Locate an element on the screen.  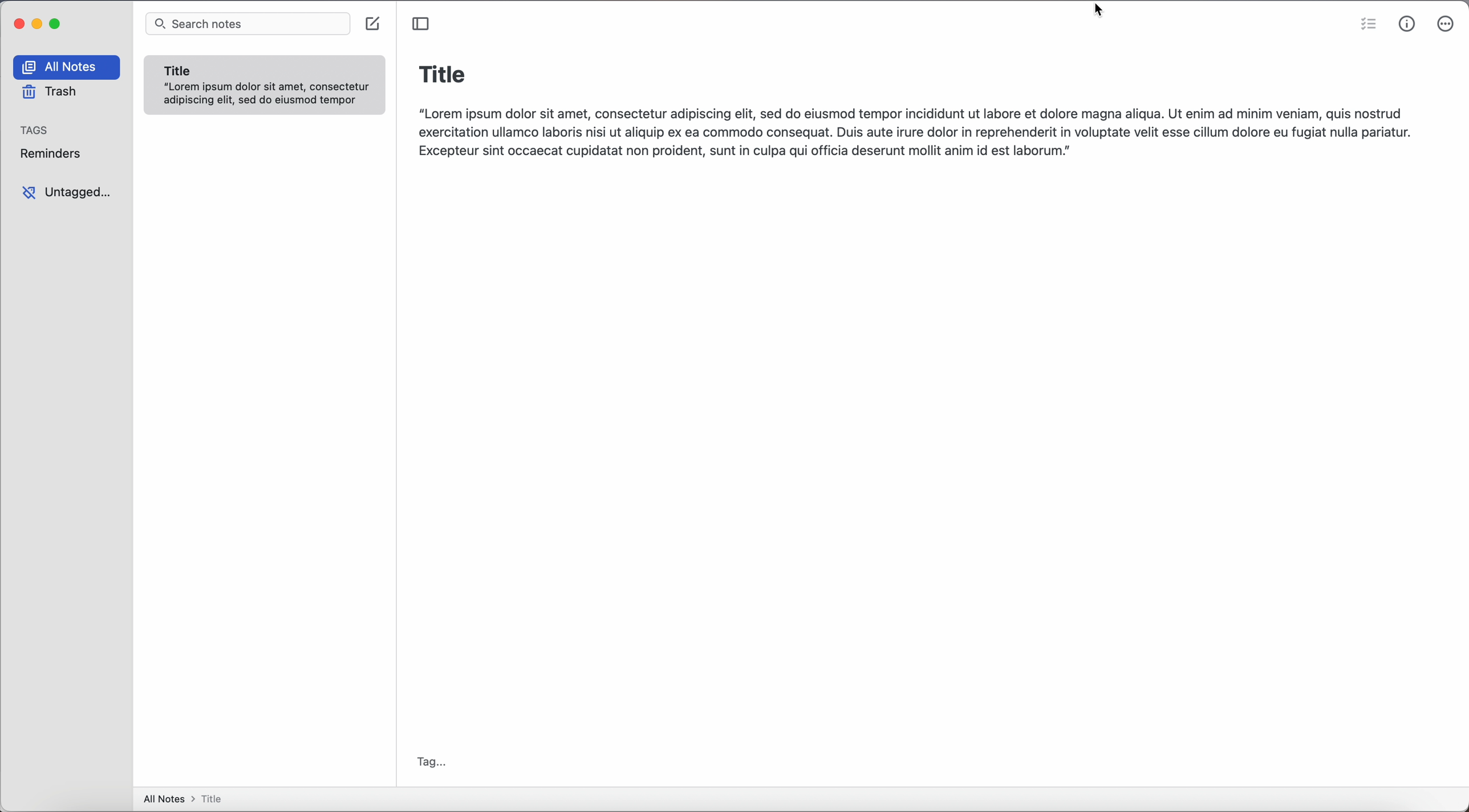
search bar is located at coordinates (248, 25).